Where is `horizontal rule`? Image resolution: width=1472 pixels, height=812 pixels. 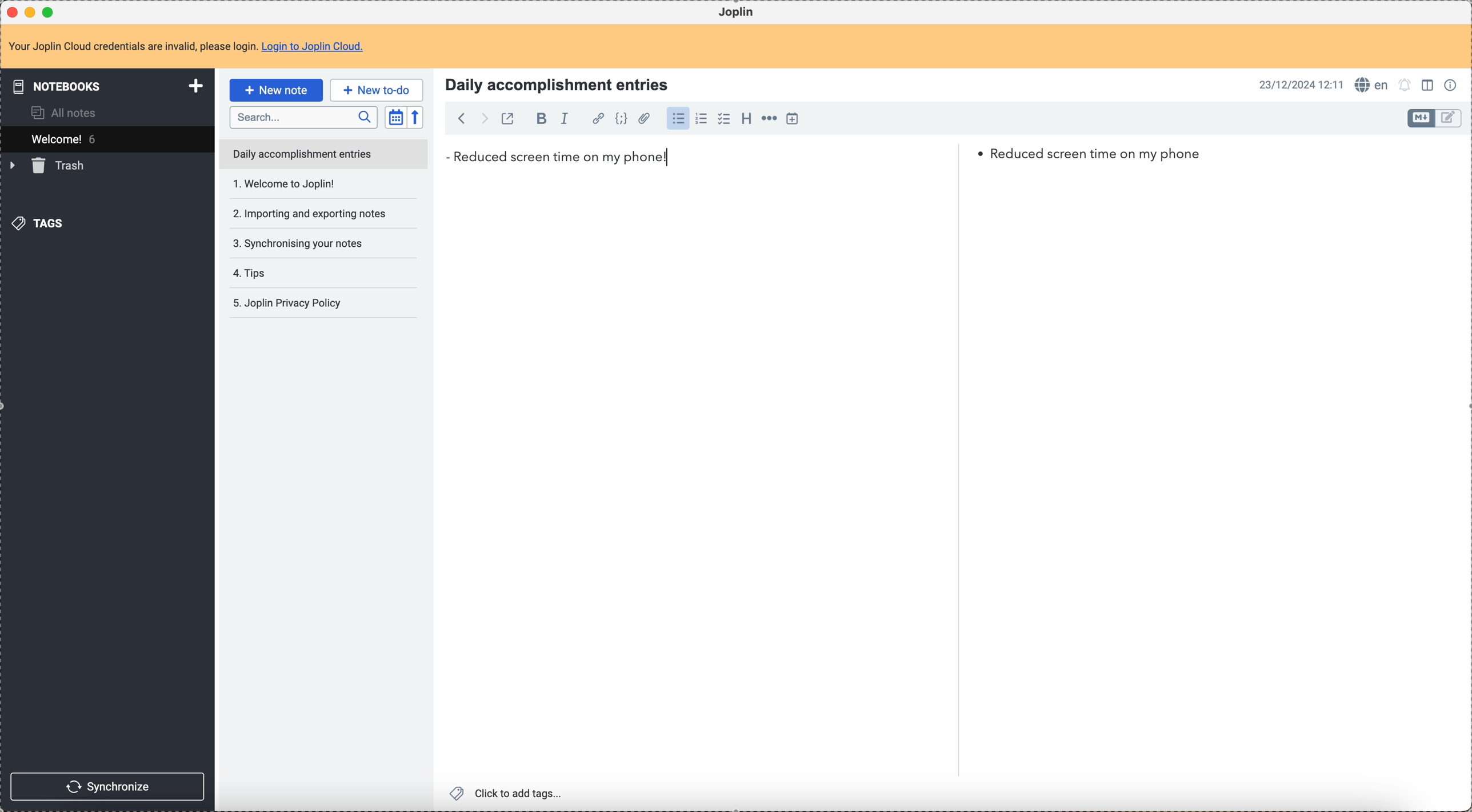
horizontal rule is located at coordinates (769, 120).